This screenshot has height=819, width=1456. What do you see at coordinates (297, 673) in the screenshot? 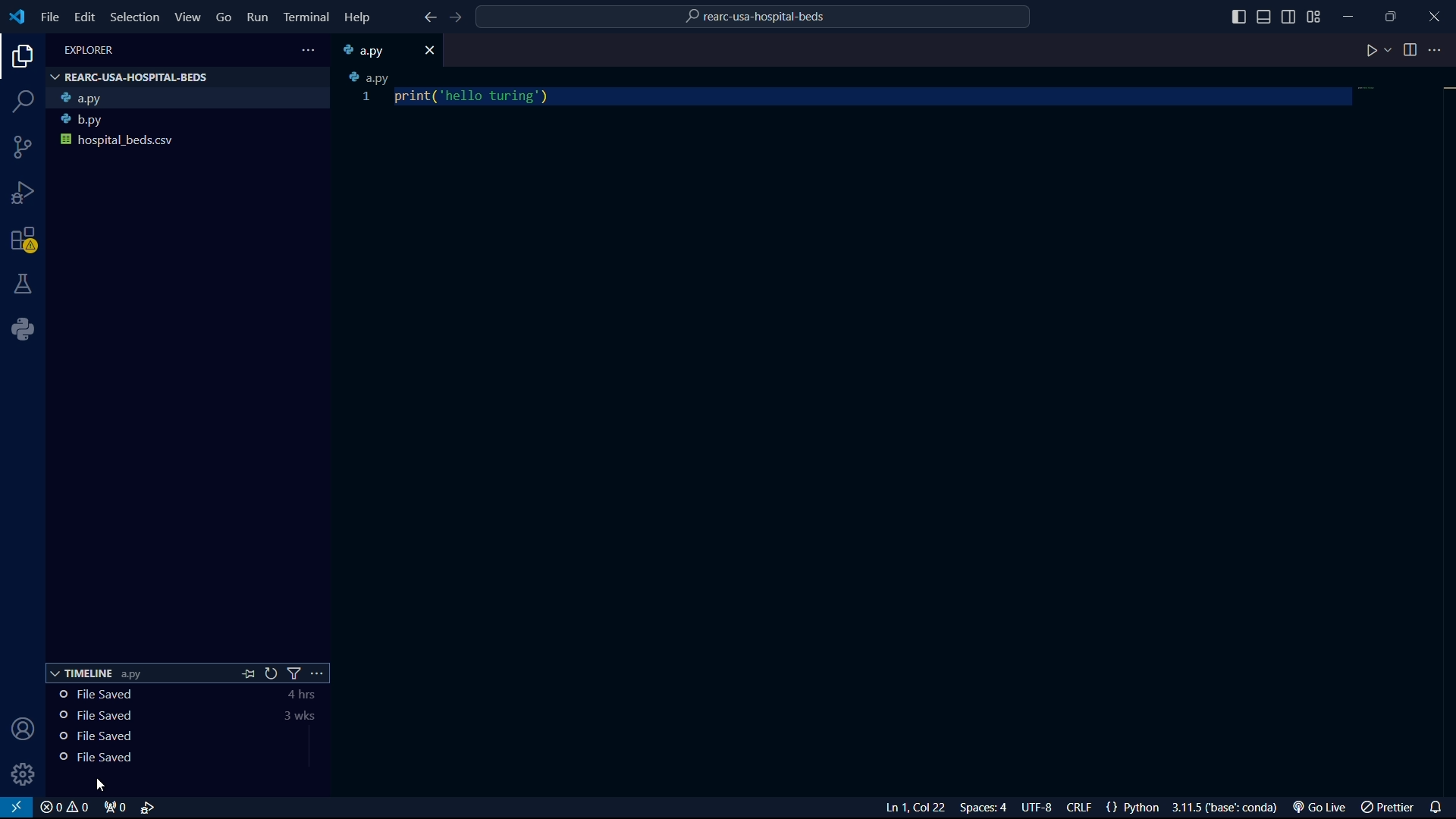
I see `filter timeline` at bounding box center [297, 673].